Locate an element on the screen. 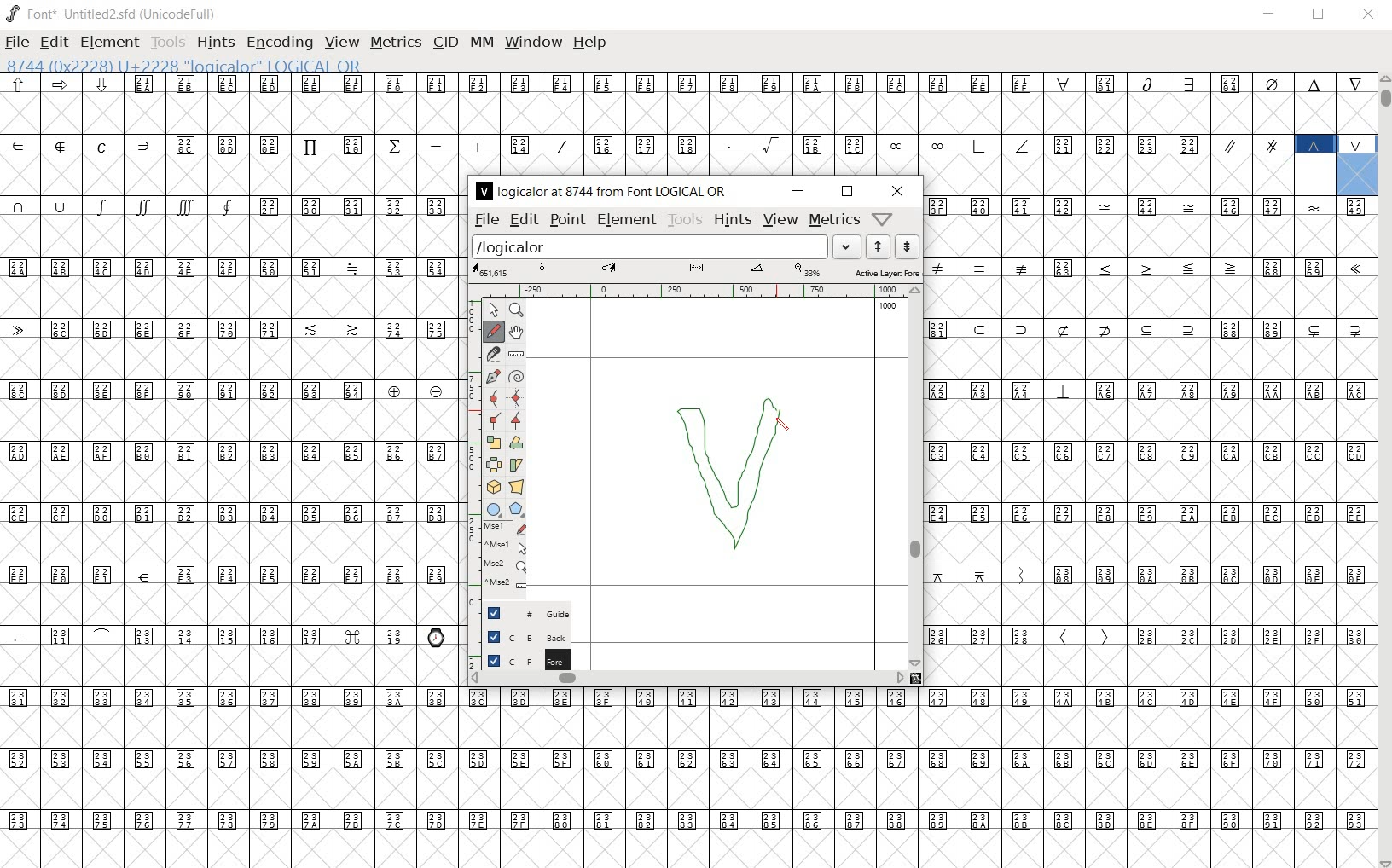 This screenshot has width=1392, height=868. flip the selection is located at coordinates (518, 443).